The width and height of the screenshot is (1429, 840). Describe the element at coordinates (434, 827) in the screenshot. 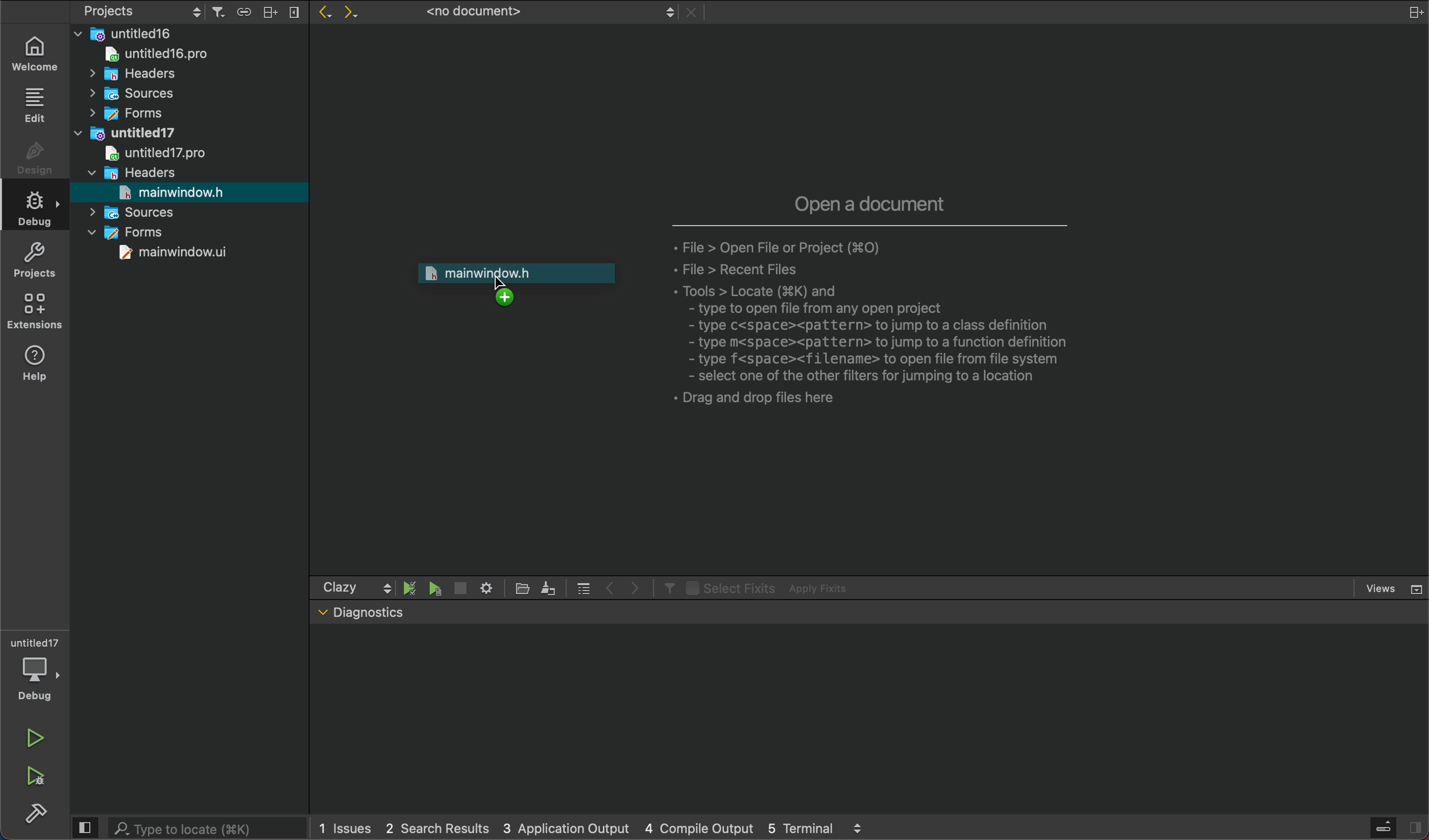

I see `2 Search Results` at that location.